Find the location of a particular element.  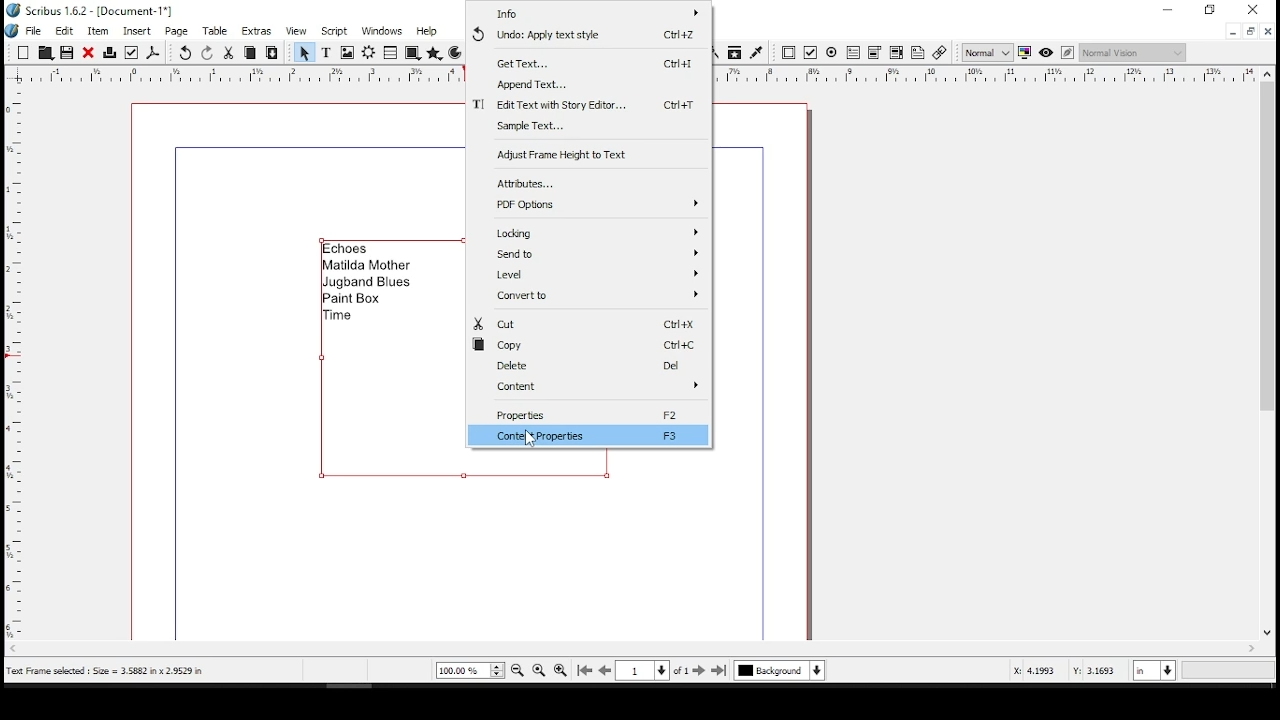

extras is located at coordinates (258, 32).